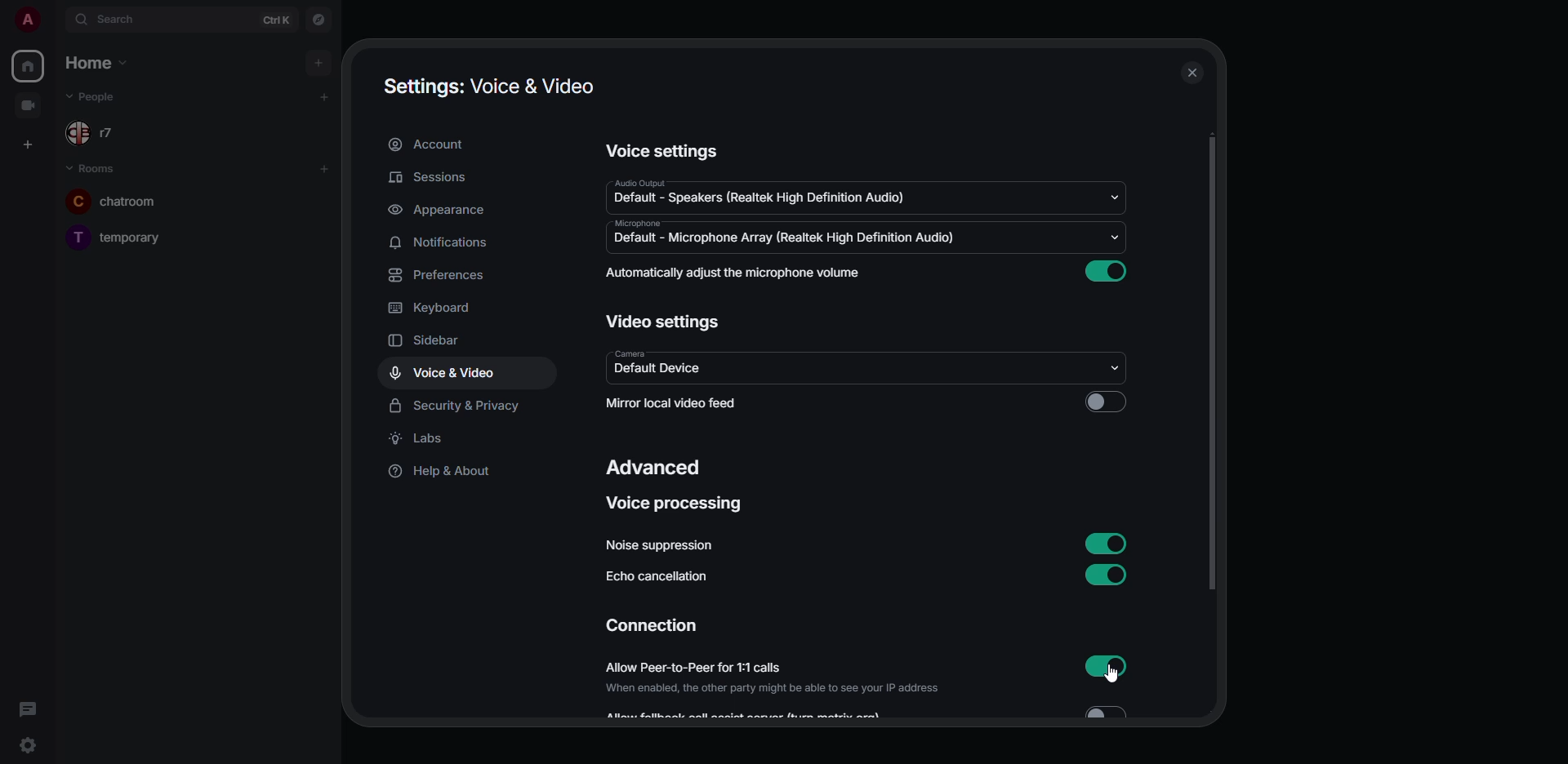  Describe the element at coordinates (1105, 401) in the screenshot. I see `click to enable` at that location.